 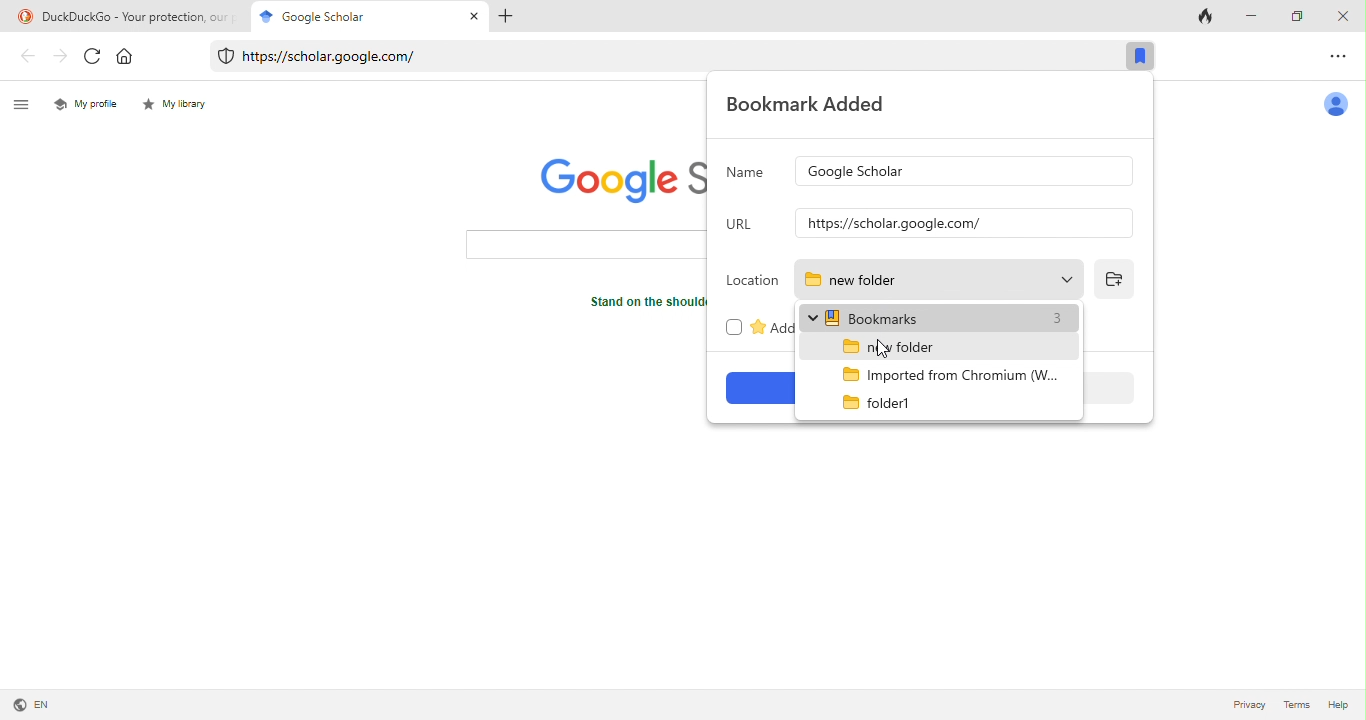 What do you see at coordinates (305, 15) in the screenshot?
I see `google scholar` at bounding box center [305, 15].